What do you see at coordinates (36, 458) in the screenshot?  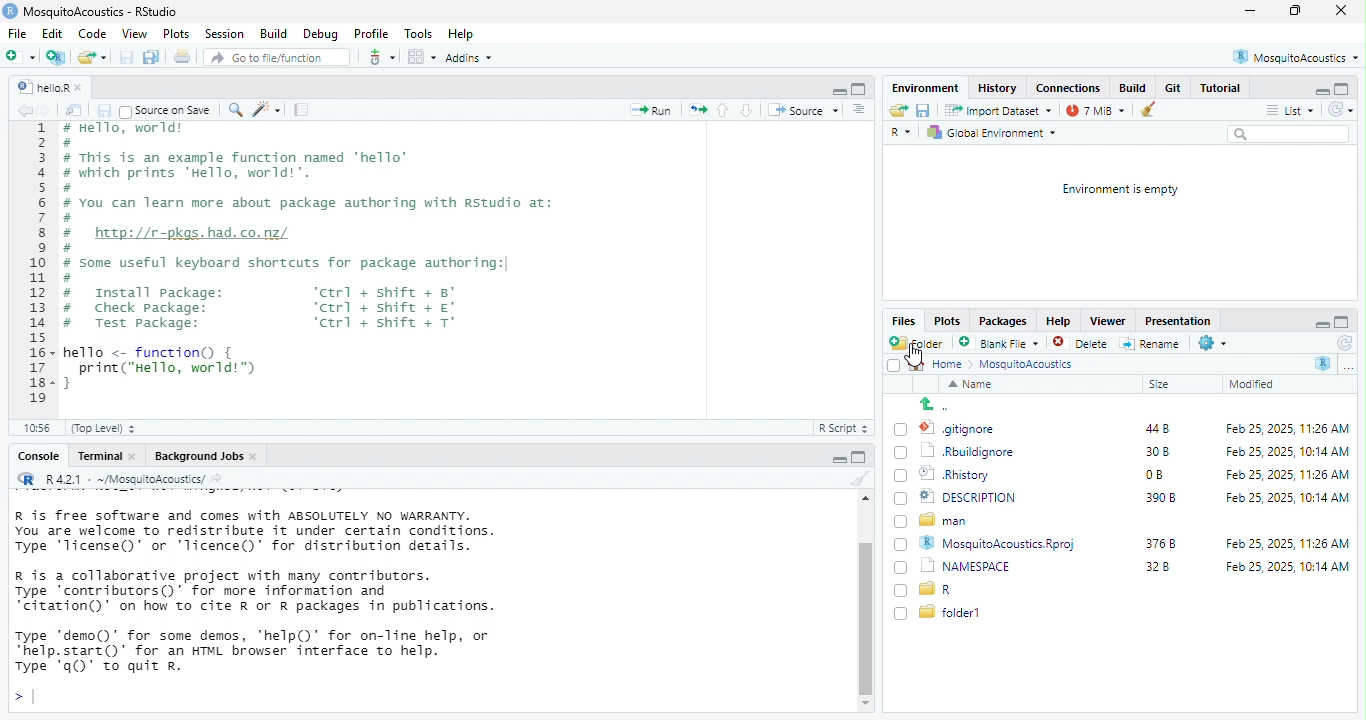 I see `Console` at bounding box center [36, 458].